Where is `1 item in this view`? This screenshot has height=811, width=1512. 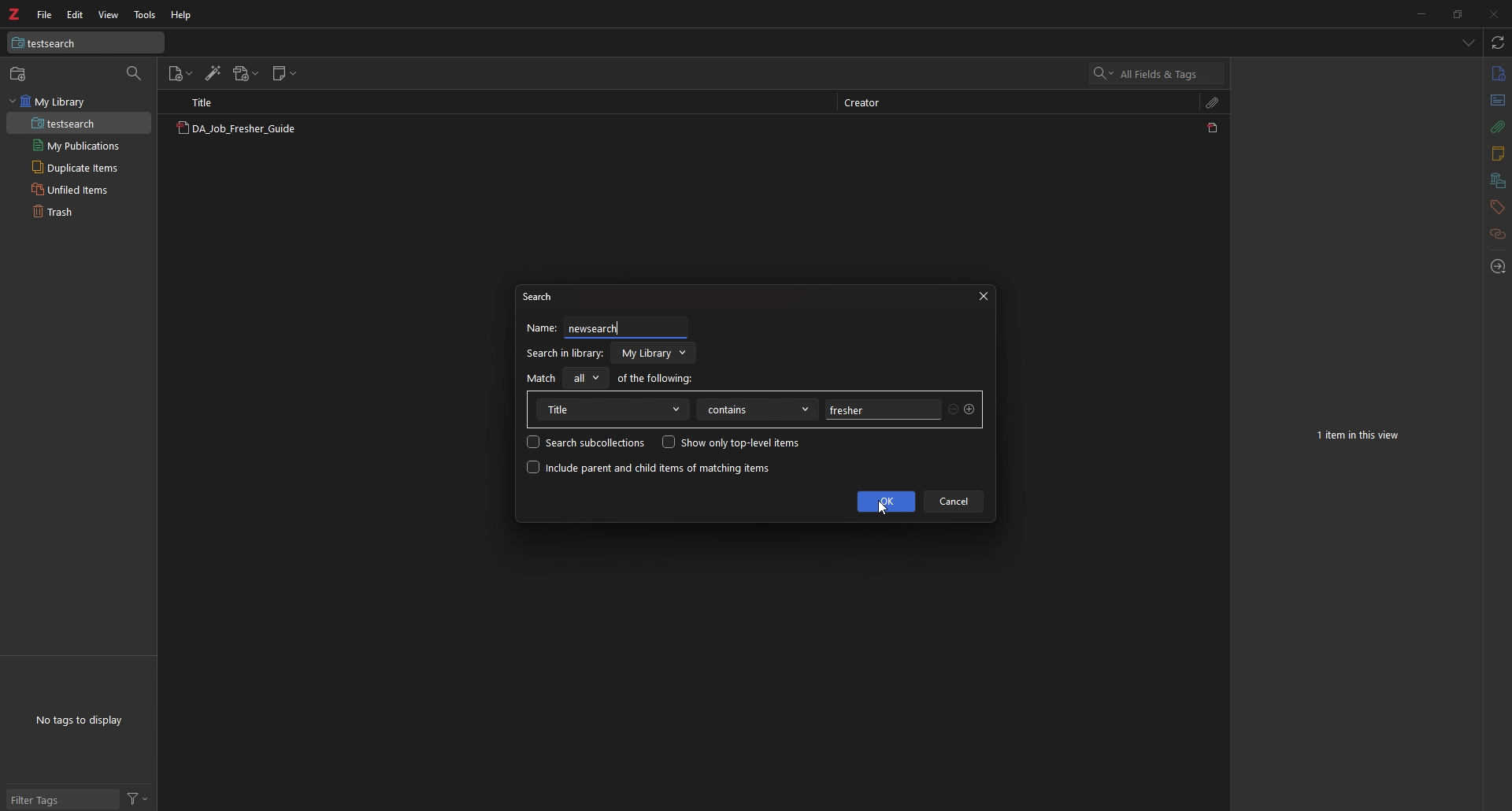 1 item in this view is located at coordinates (1360, 435).